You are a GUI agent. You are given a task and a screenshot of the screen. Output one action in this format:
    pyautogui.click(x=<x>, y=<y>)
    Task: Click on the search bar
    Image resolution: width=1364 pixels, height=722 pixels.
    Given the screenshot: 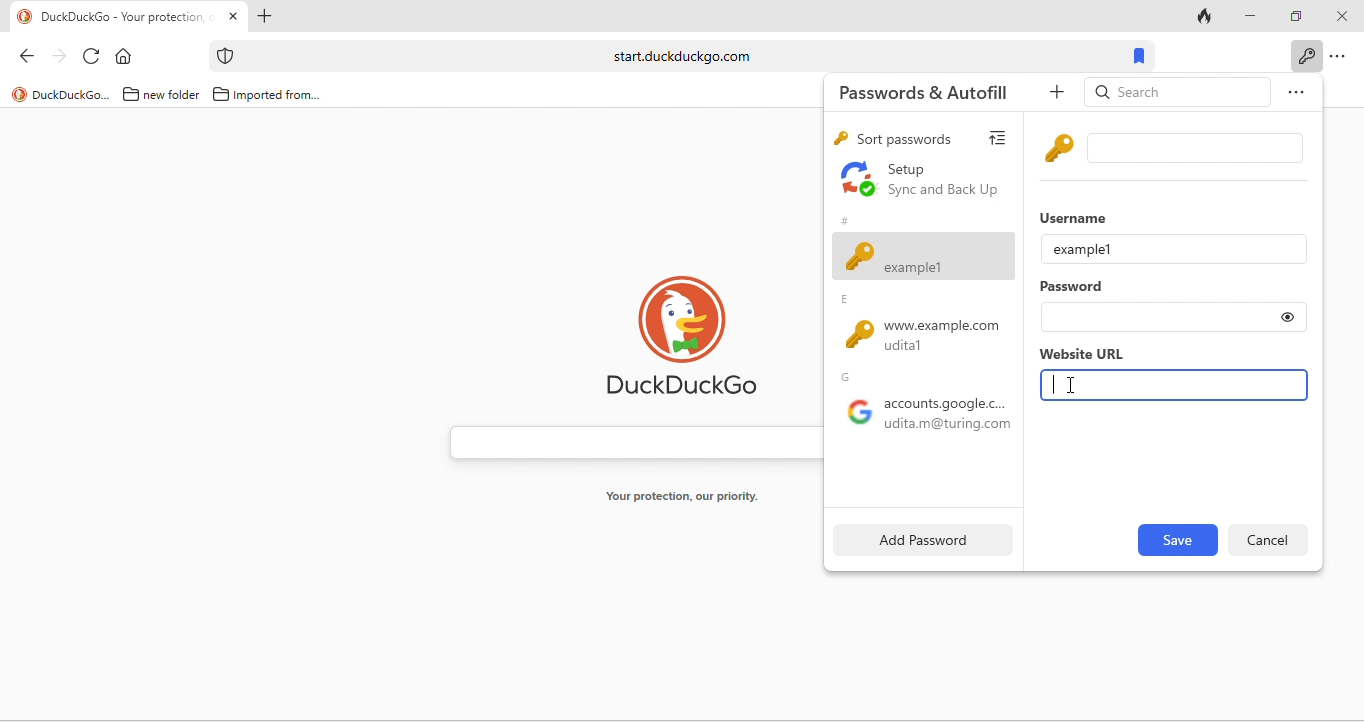 What is the action you would take?
    pyautogui.click(x=626, y=438)
    